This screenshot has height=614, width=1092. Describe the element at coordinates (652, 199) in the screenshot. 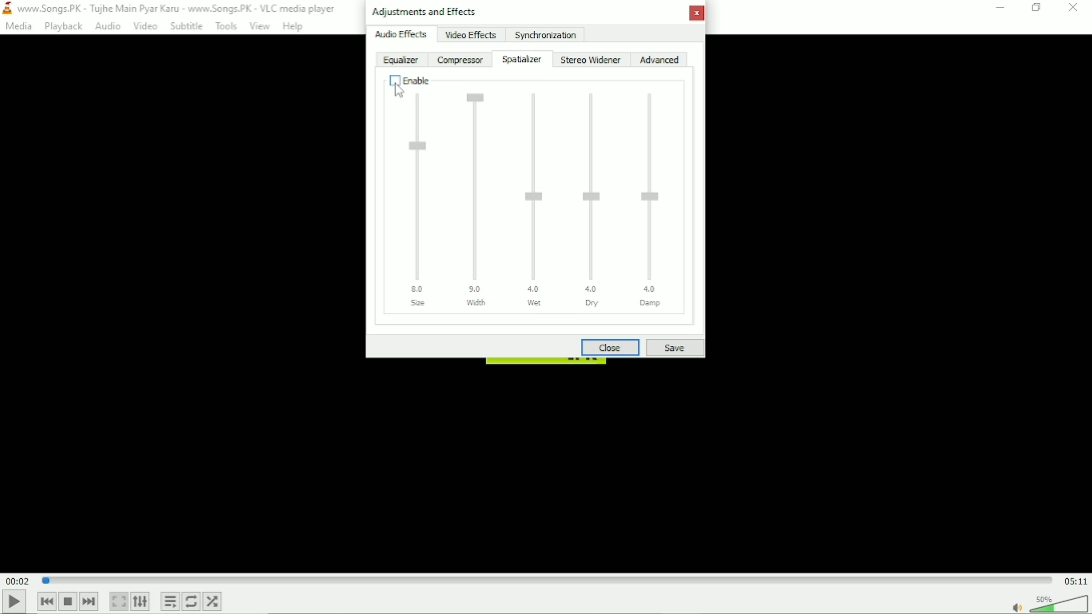

I see `Damp` at that location.